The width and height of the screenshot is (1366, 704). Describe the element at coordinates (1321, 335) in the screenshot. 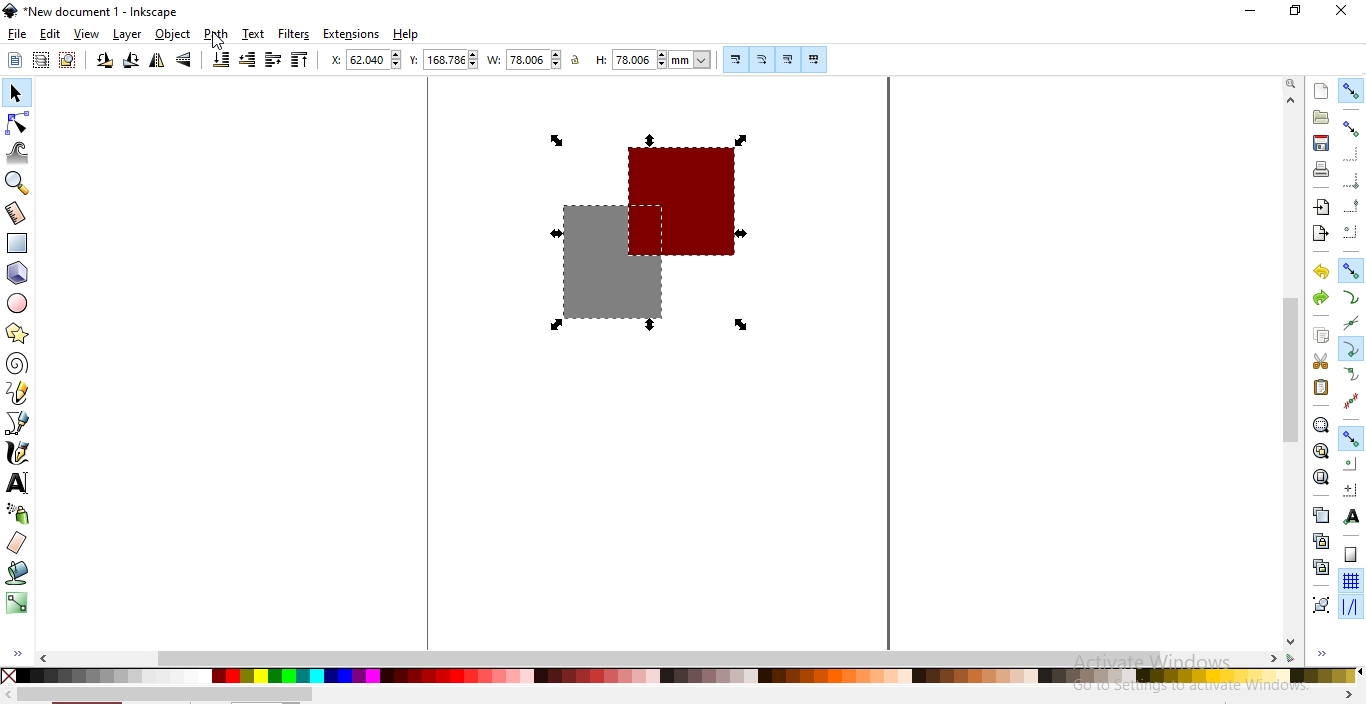

I see `copy` at that location.